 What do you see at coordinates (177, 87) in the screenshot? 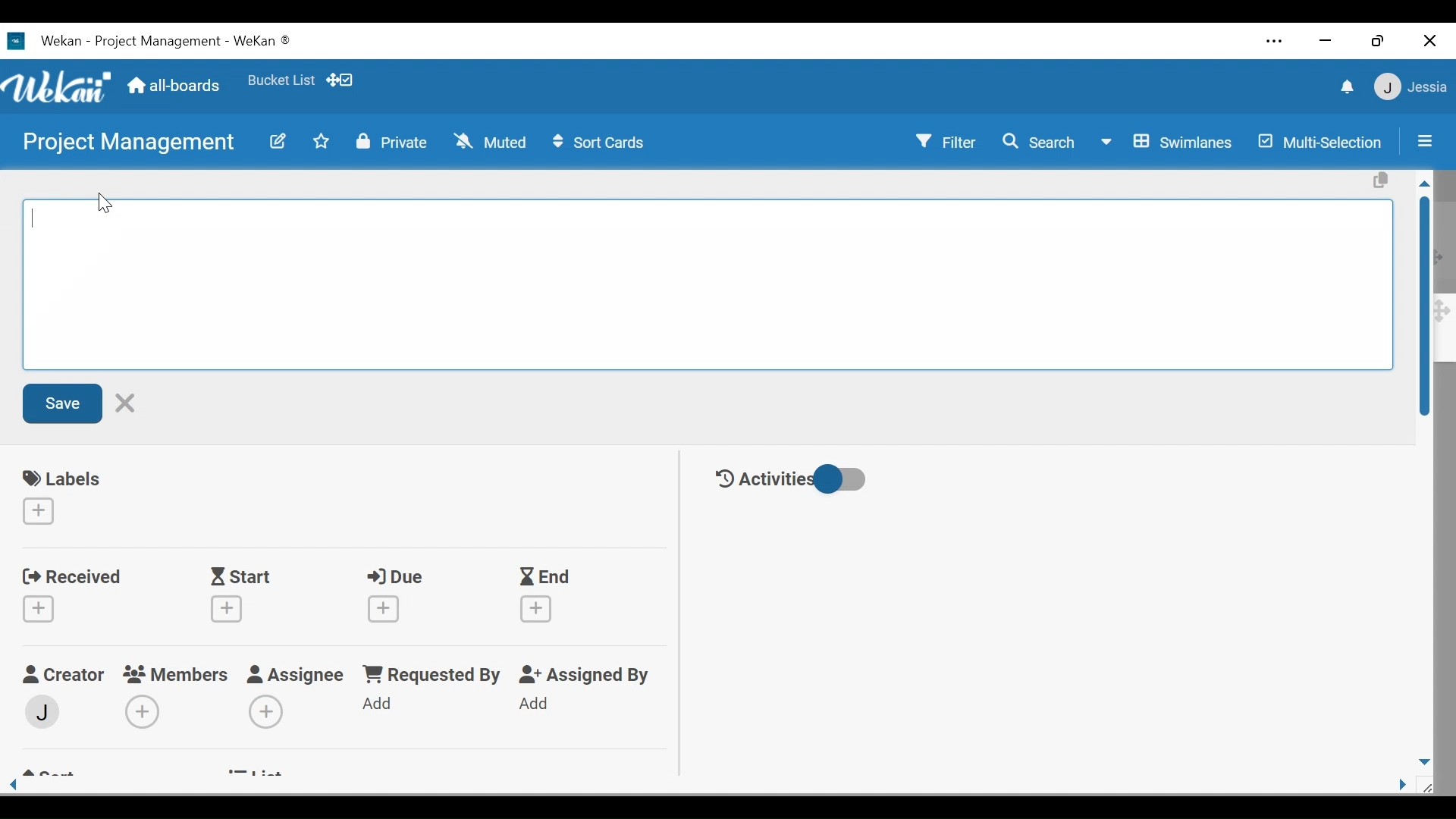
I see `All boards` at bounding box center [177, 87].